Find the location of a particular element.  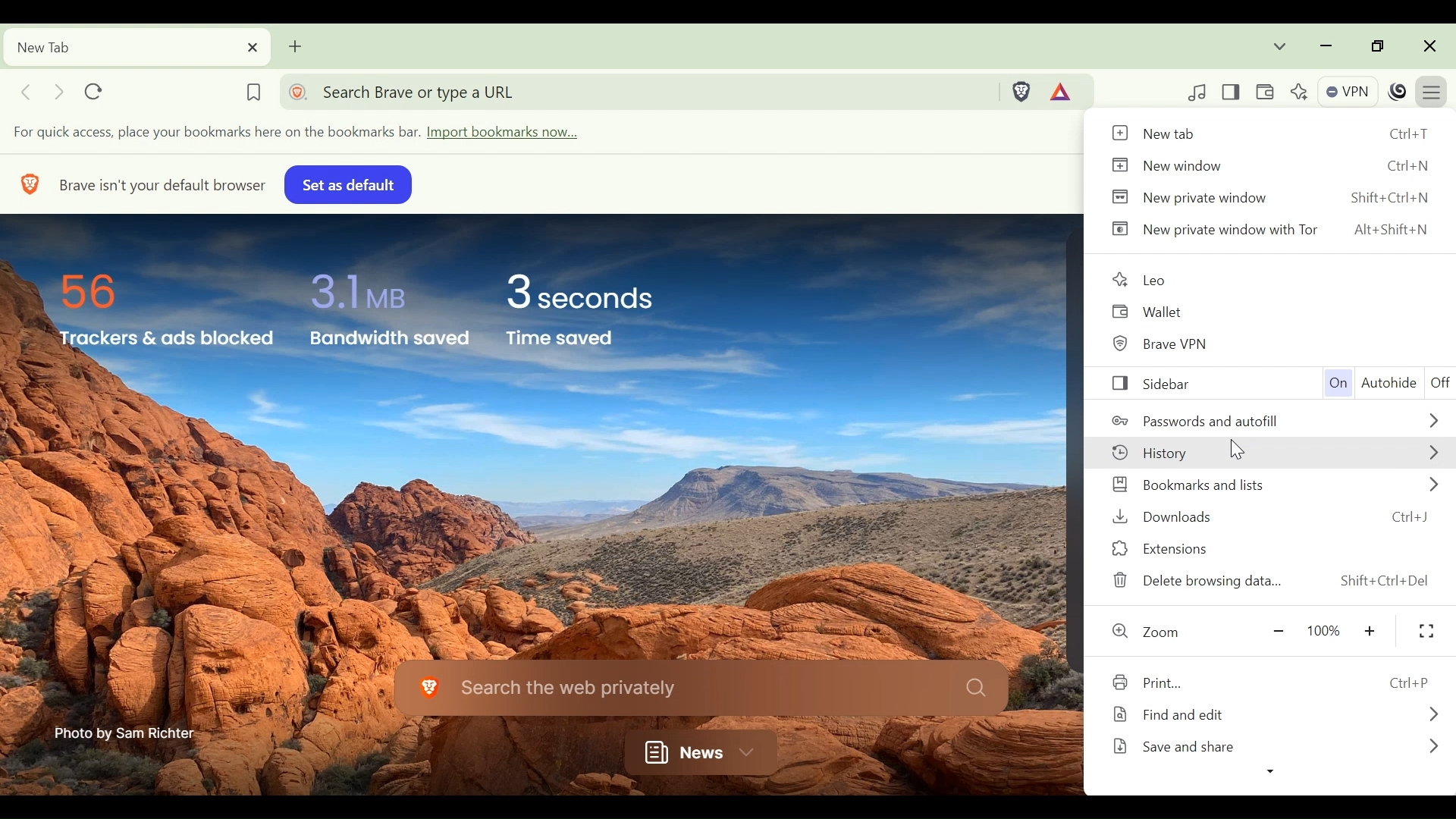

Search tabs is located at coordinates (1282, 45).